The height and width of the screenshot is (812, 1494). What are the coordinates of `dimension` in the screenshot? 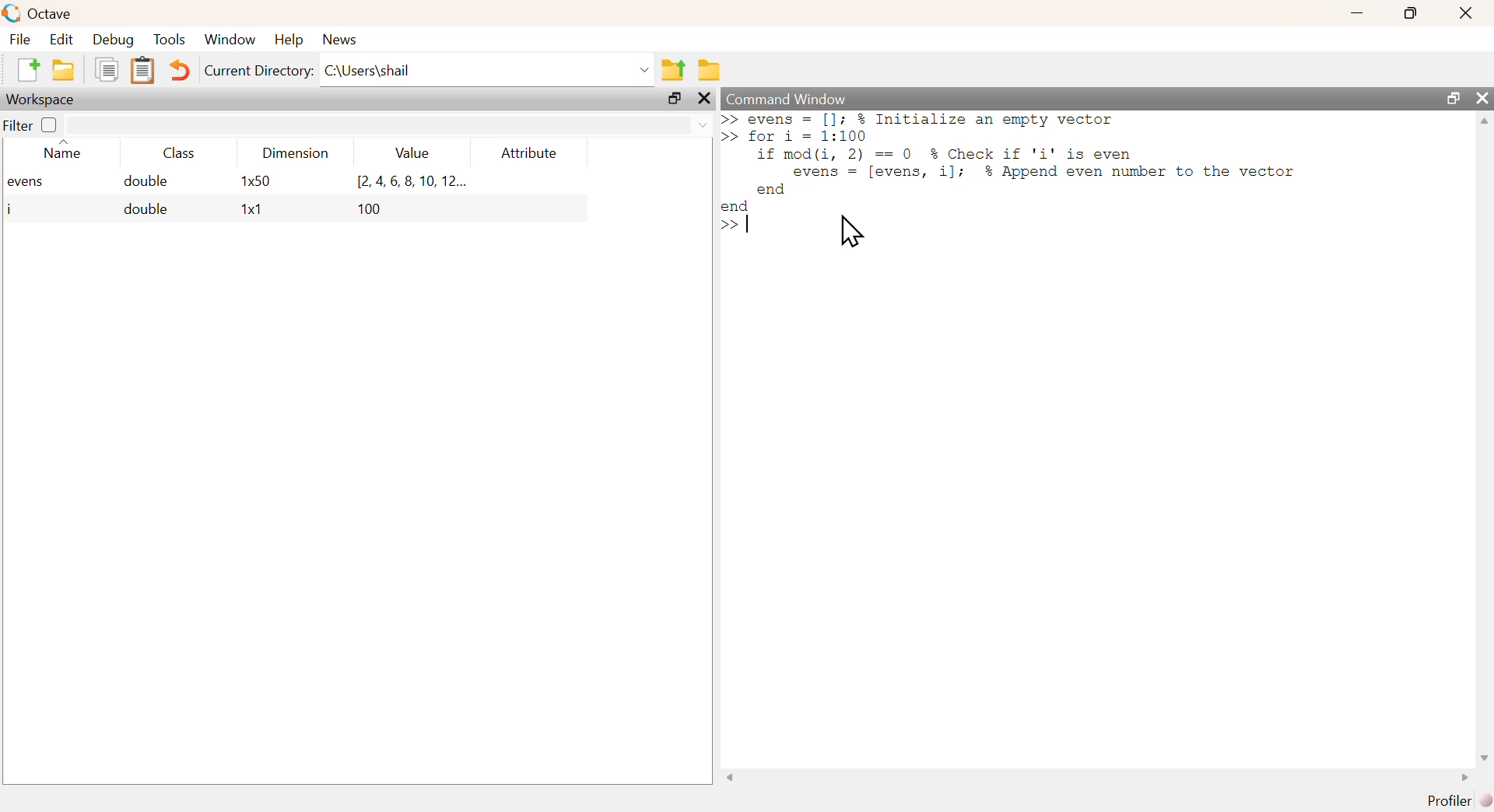 It's located at (291, 155).